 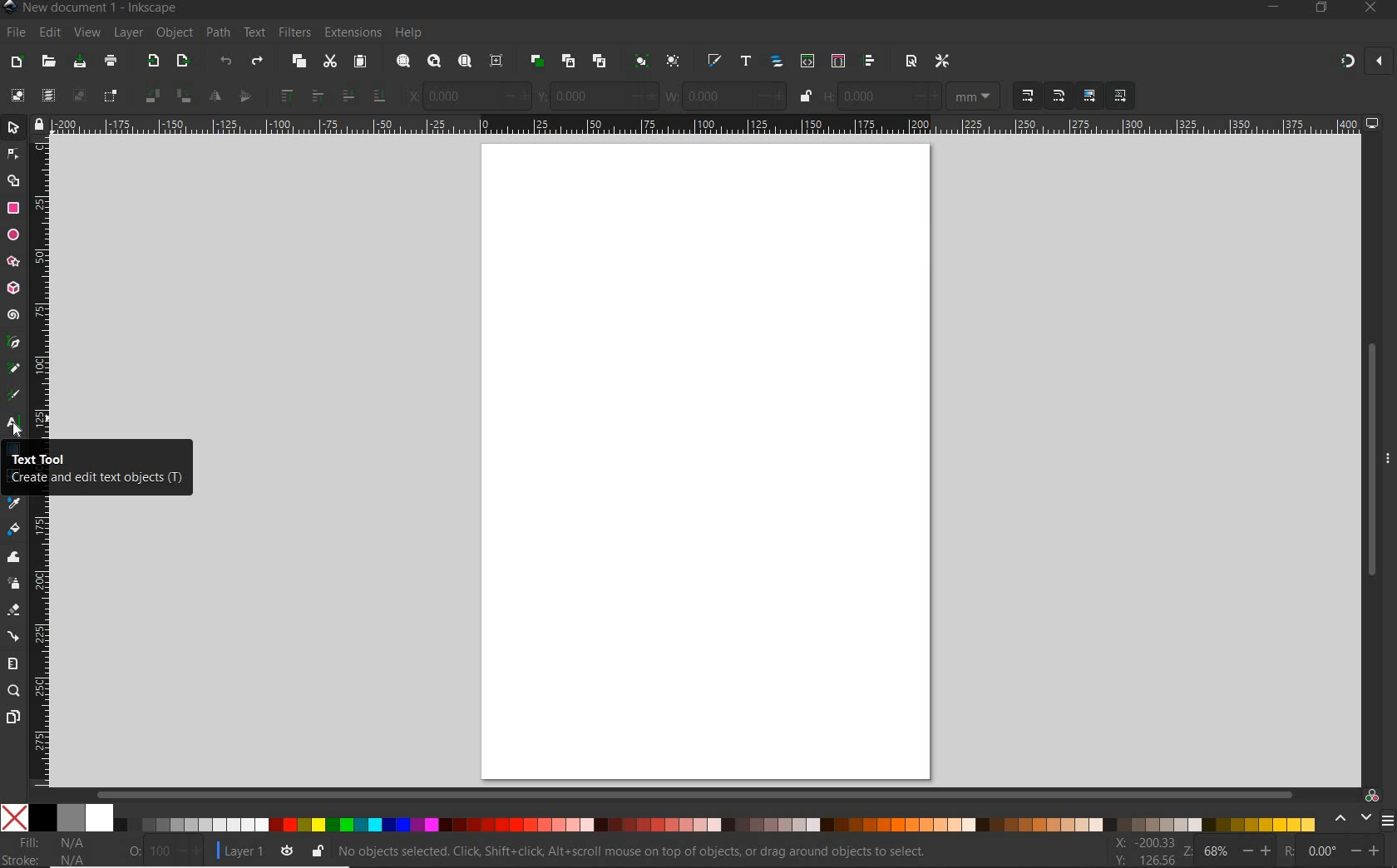 I want to click on open selectors, so click(x=837, y=61).